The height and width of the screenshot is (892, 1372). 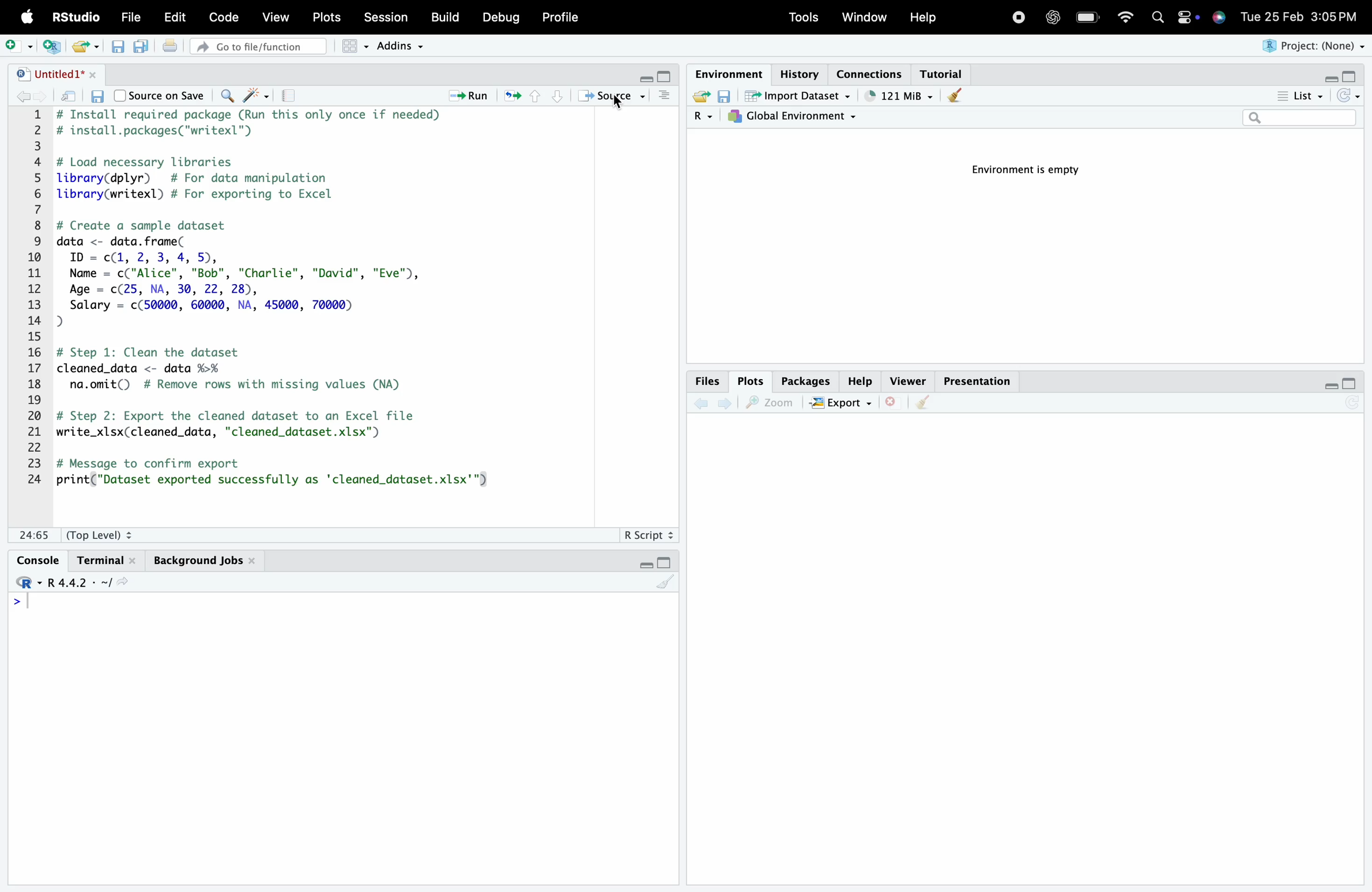 I want to click on Search, so click(x=1159, y=18).